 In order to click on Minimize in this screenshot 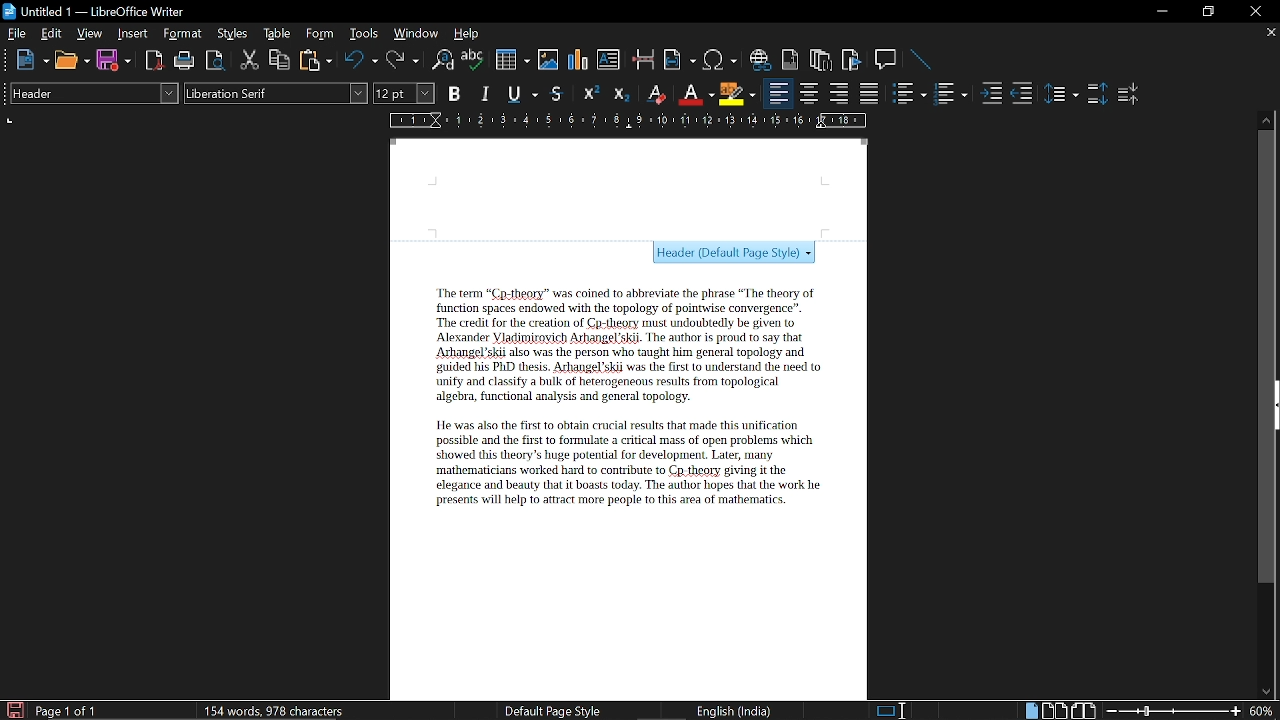, I will do `click(1162, 14)`.